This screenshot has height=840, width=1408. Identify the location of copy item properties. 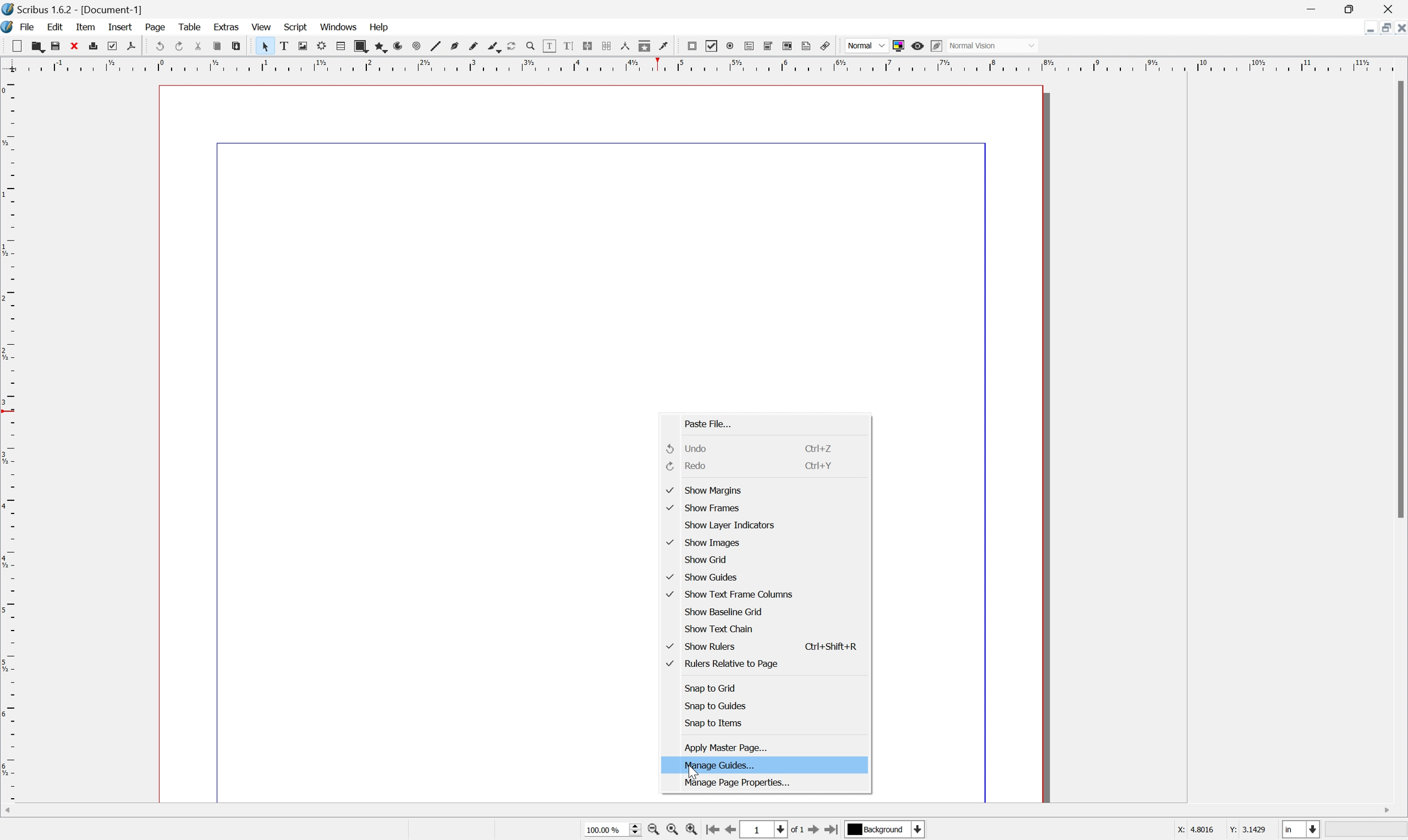
(645, 46).